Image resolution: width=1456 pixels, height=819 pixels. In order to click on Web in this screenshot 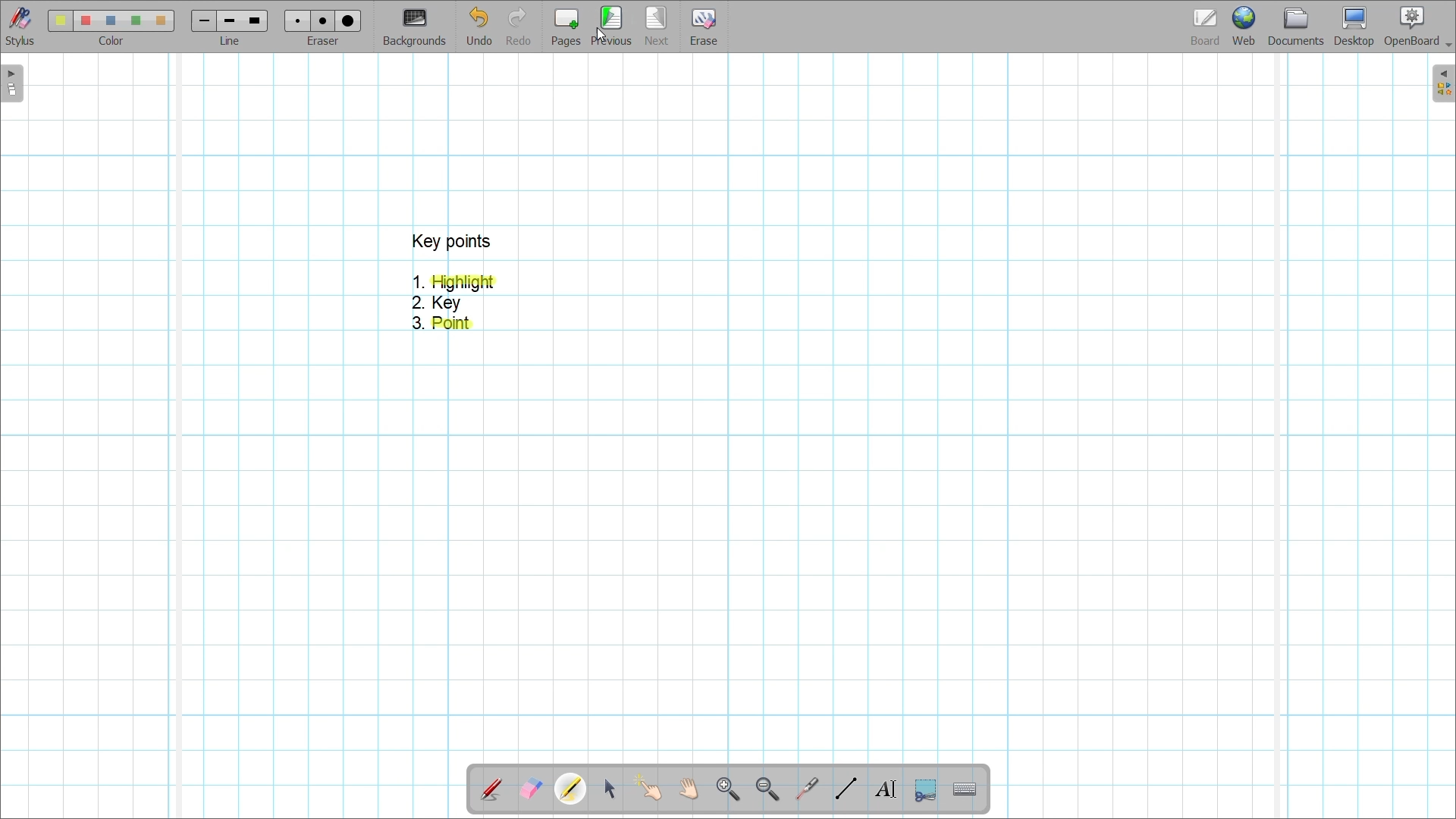, I will do `click(1244, 26)`.